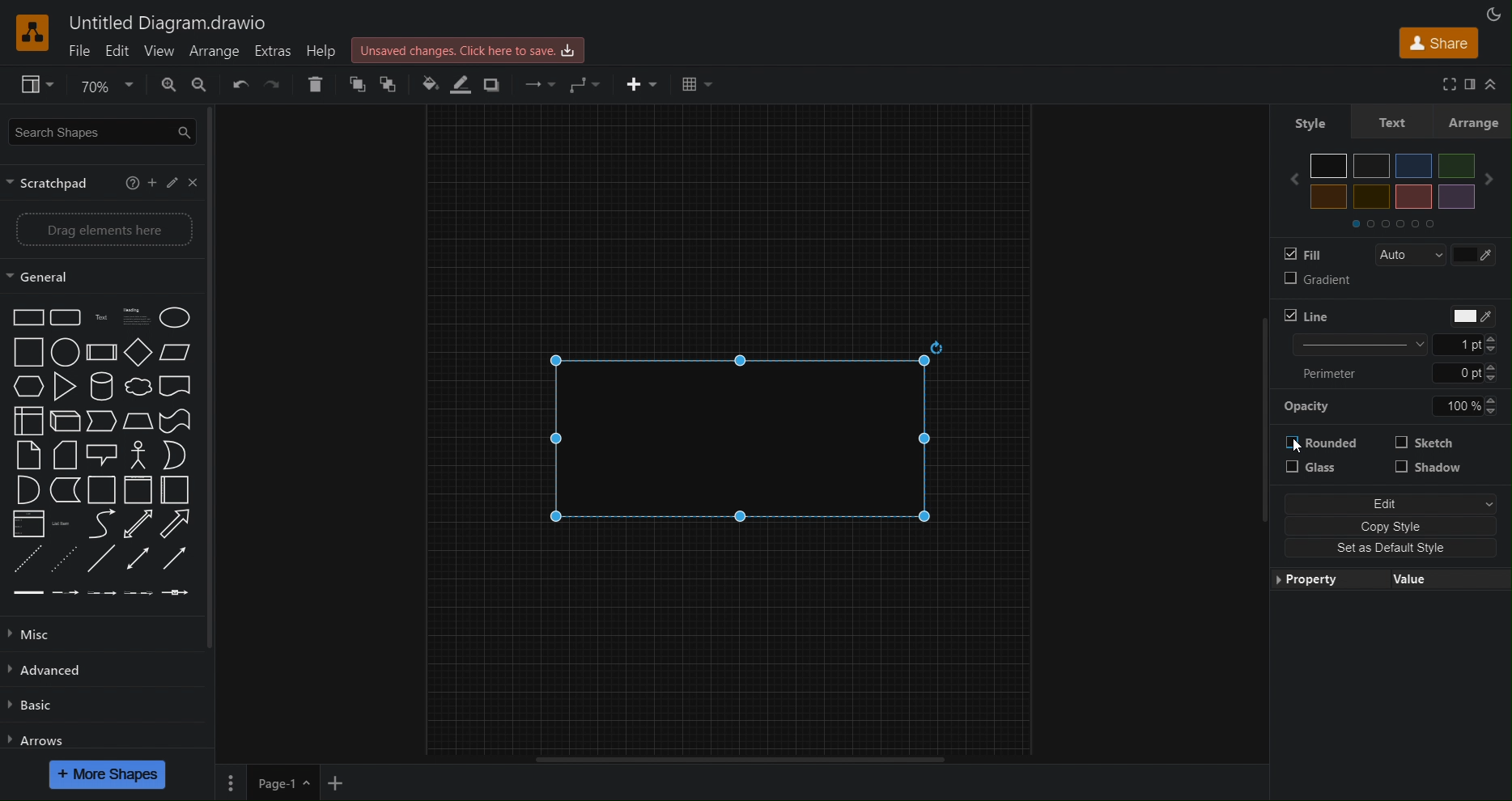 The image size is (1512, 801). I want to click on Sketch, so click(1429, 444).